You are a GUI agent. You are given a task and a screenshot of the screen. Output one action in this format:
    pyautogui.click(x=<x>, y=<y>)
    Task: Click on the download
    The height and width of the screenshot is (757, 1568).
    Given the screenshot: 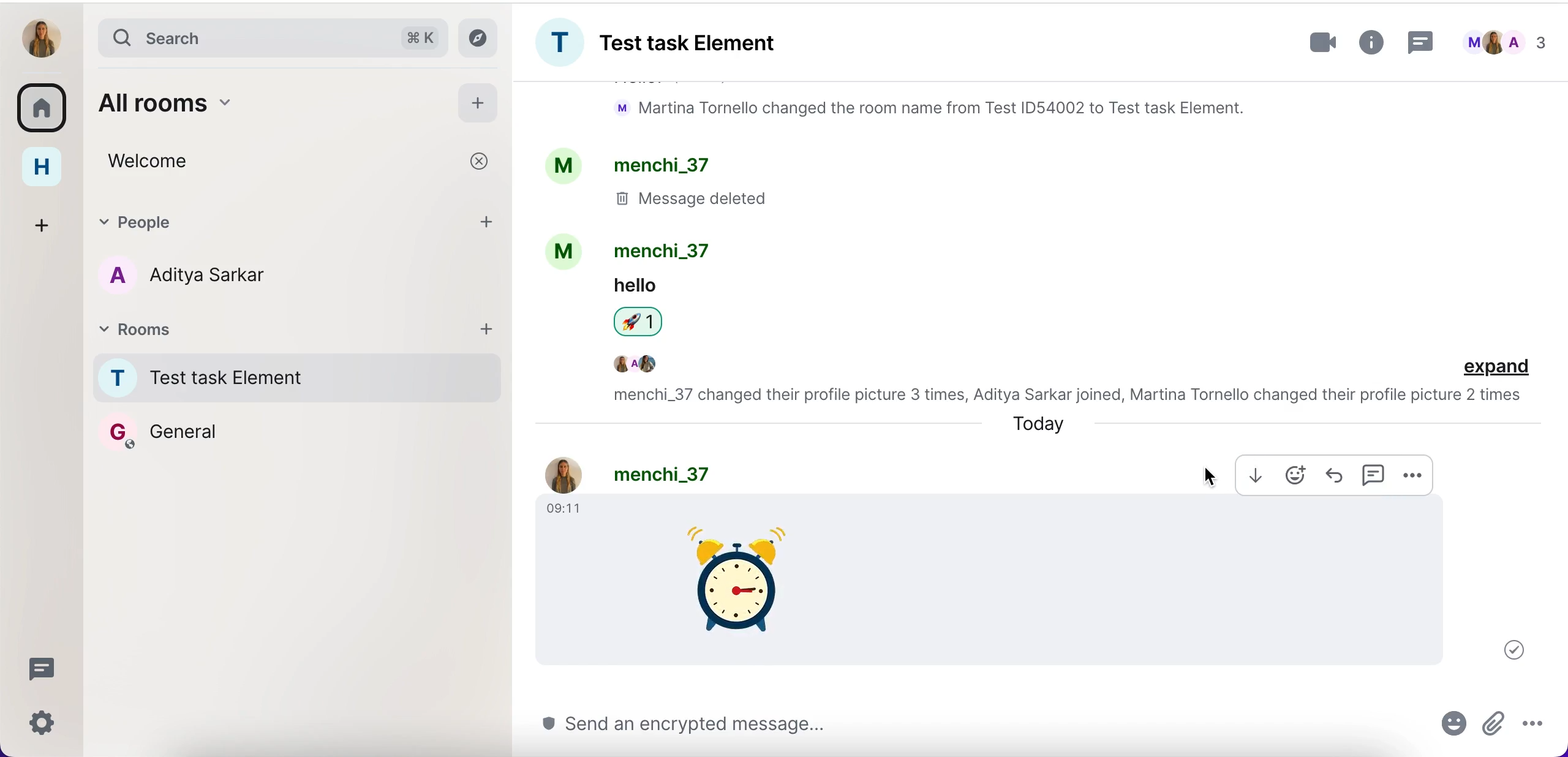 What is the action you would take?
    pyautogui.click(x=1256, y=475)
    